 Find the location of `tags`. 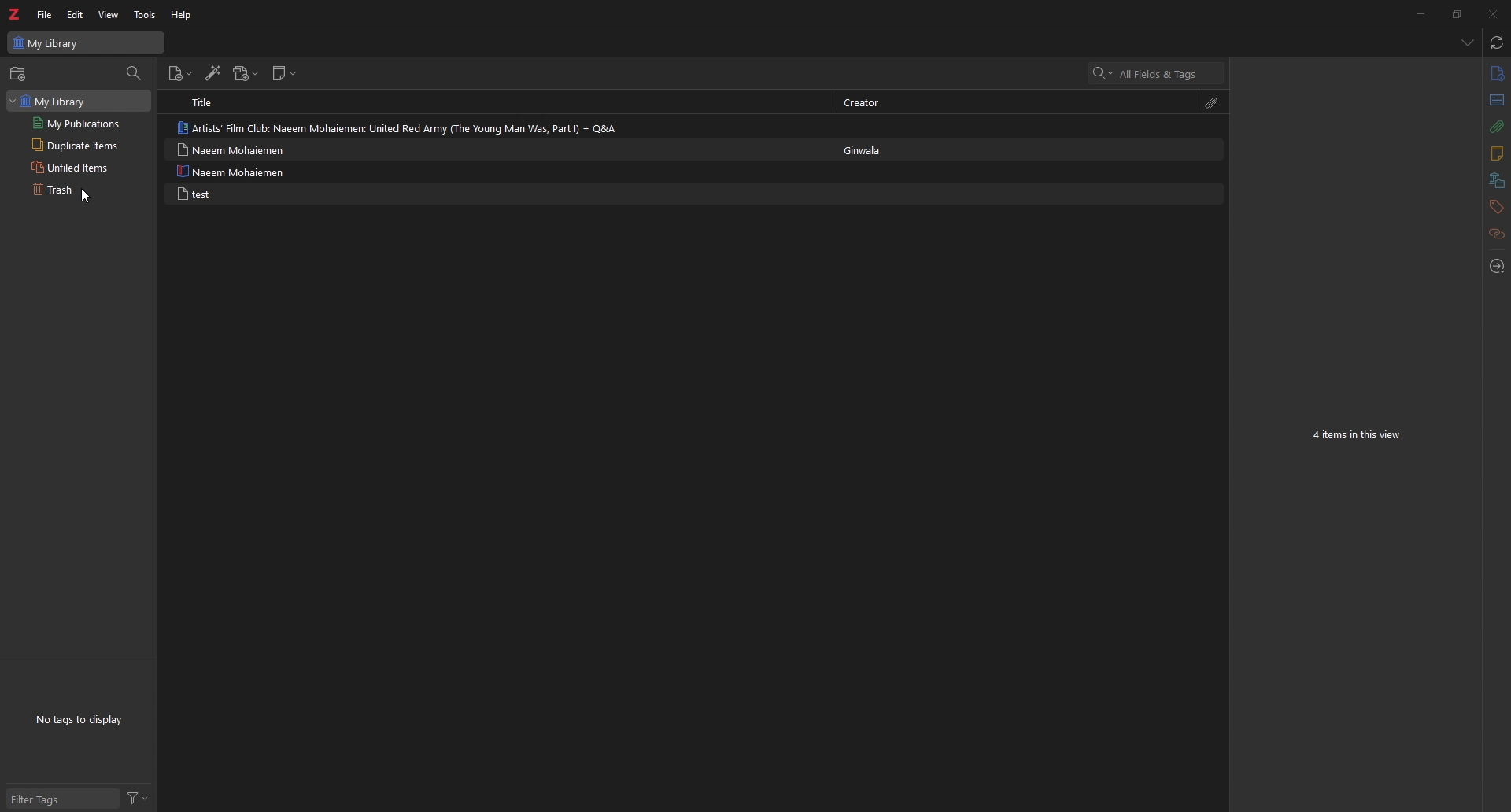

tags is located at coordinates (1494, 207).